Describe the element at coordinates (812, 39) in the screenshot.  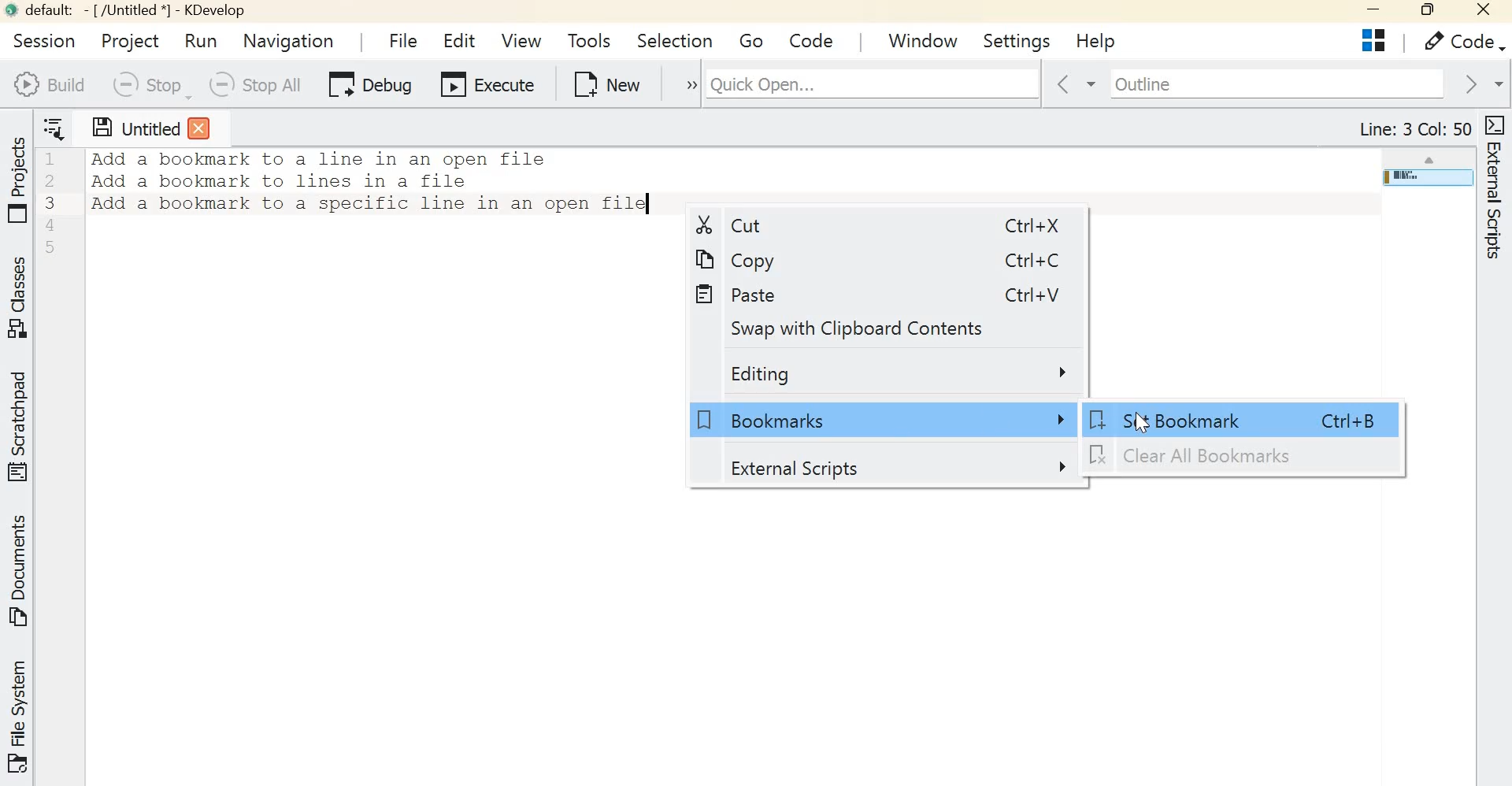
I see `code` at that location.